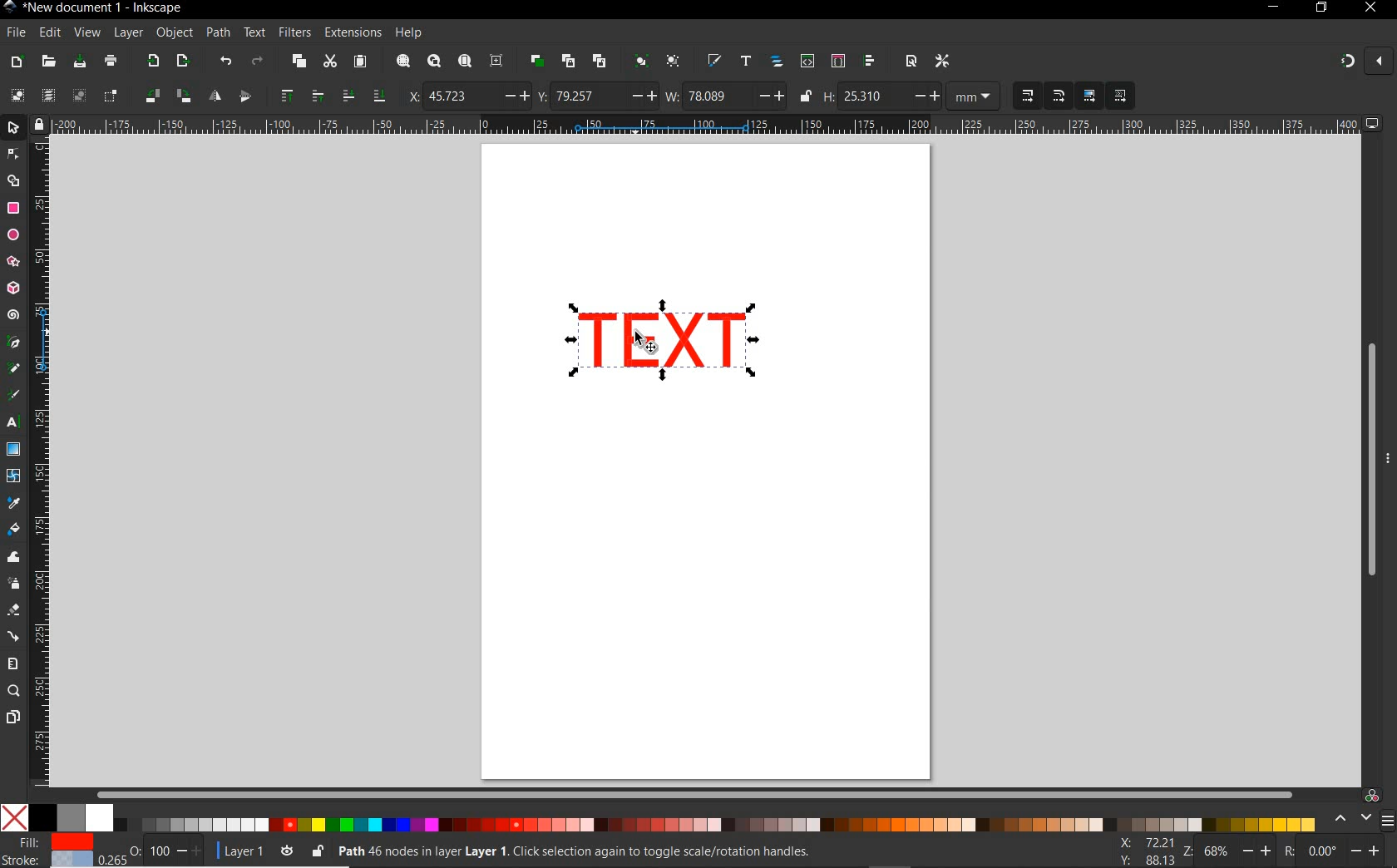 Image resolution: width=1397 pixels, height=868 pixels. Describe the element at coordinates (47, 96) in the screenshot. I see `SELECT ALL IN ALL LAYERS` at that location.